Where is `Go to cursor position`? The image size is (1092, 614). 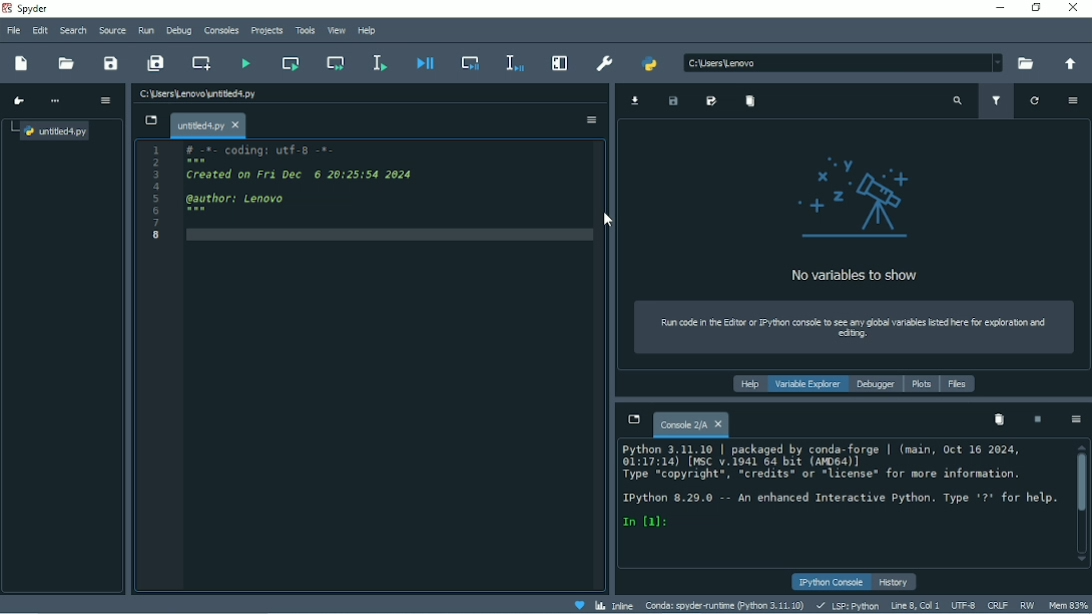
Go to cursor position is located at coordinates (17, 99).